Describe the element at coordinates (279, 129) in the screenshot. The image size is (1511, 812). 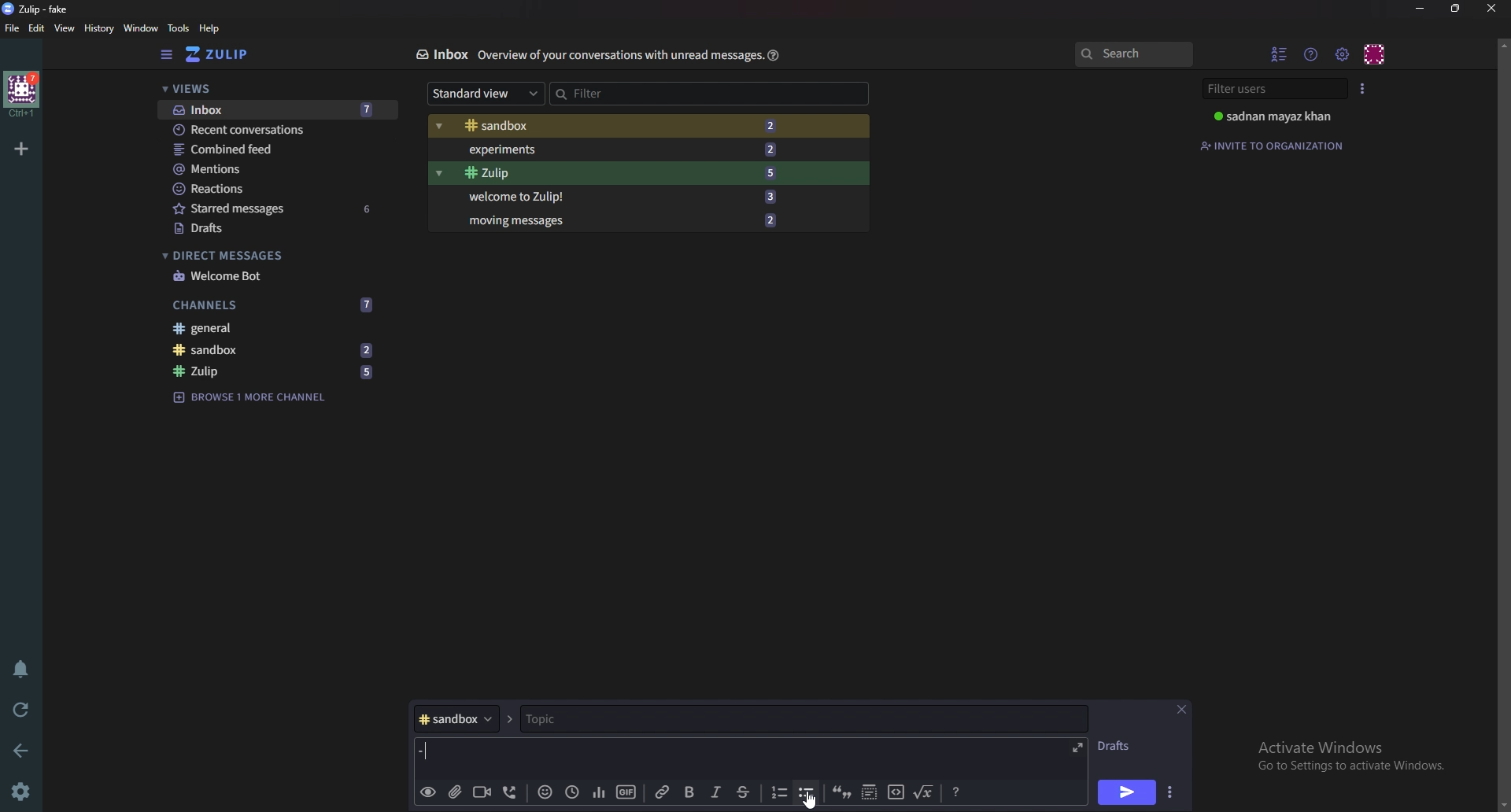
I see `Recent conversations` at that location.